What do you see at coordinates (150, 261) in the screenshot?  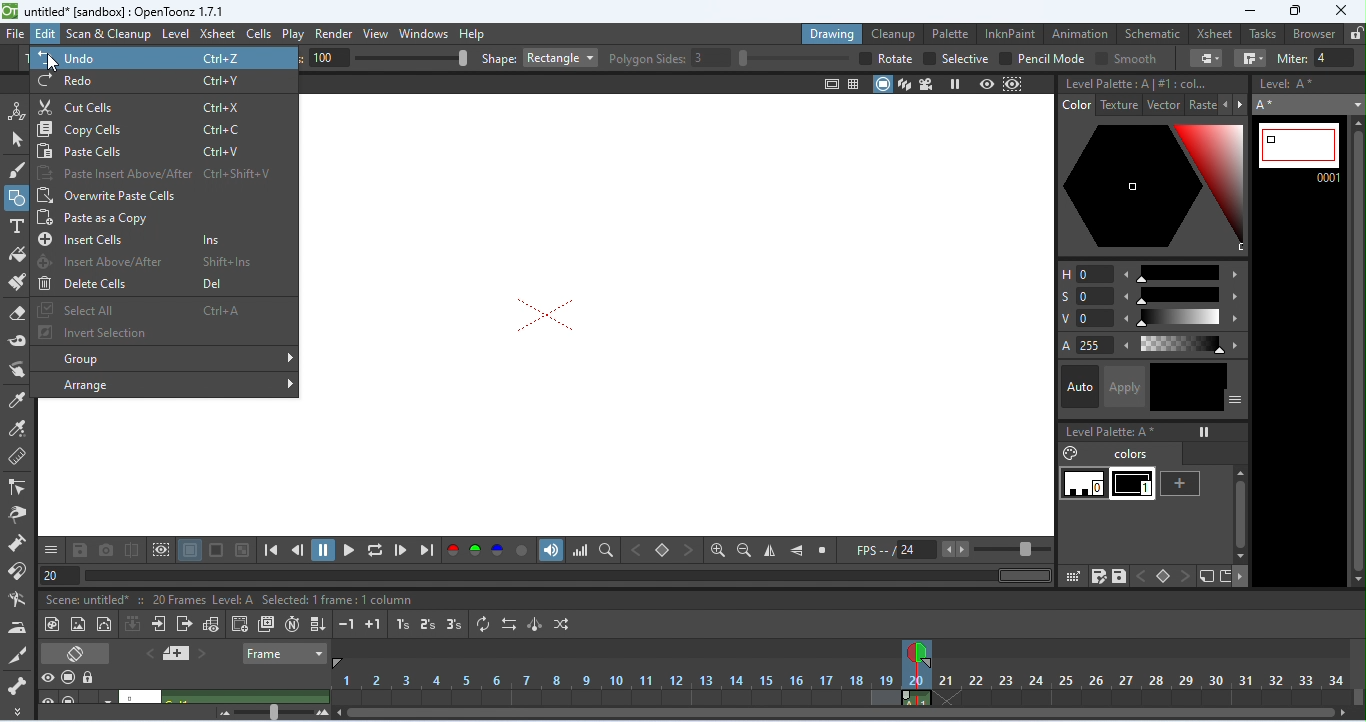 I see `insert above or after` at bounding box center [150, 261].